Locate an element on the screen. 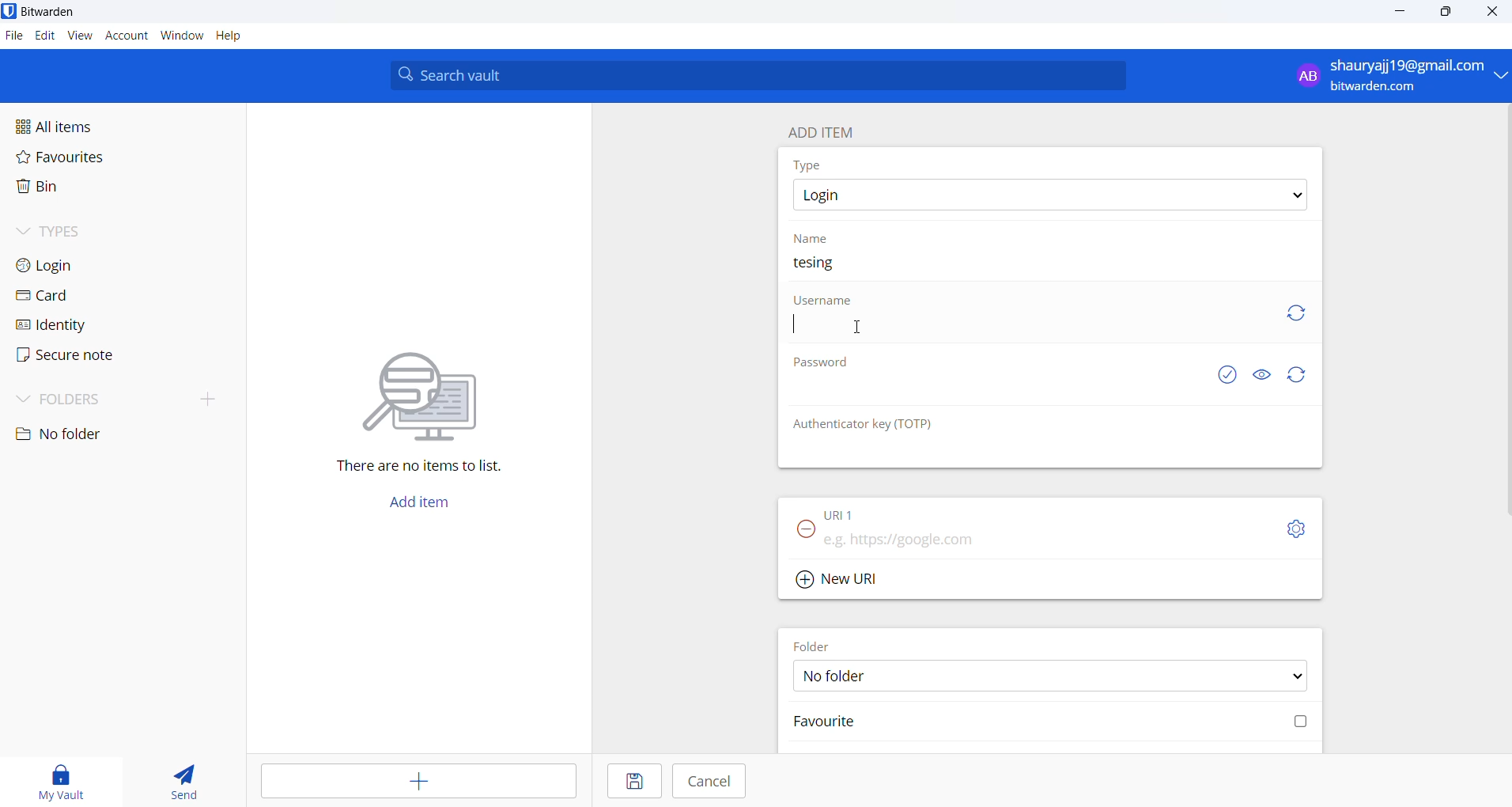 The height and width of the screenshot is (807, 1512). bin is located at coordinates (81, 191).